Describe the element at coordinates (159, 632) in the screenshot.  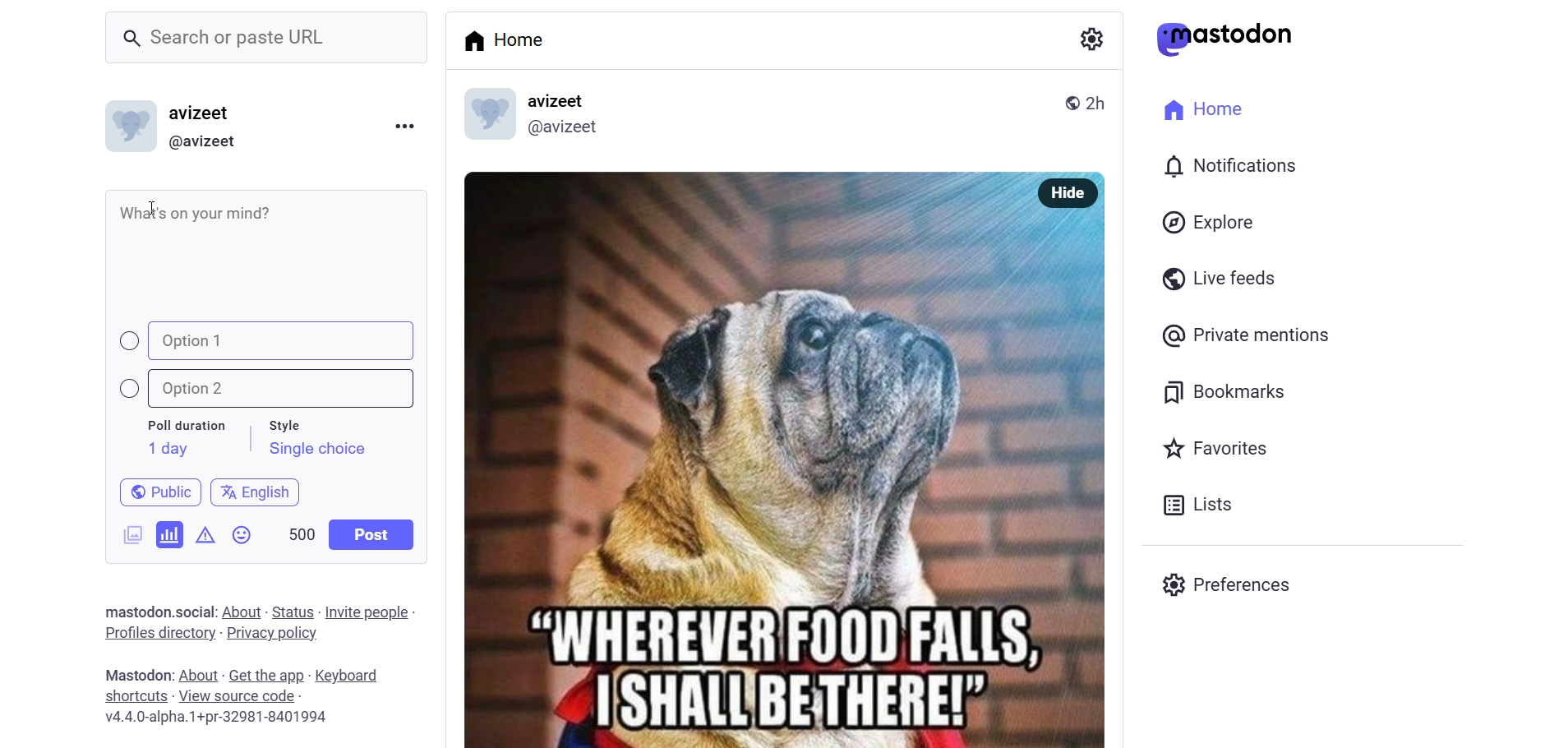
I see `profiles` at that location.